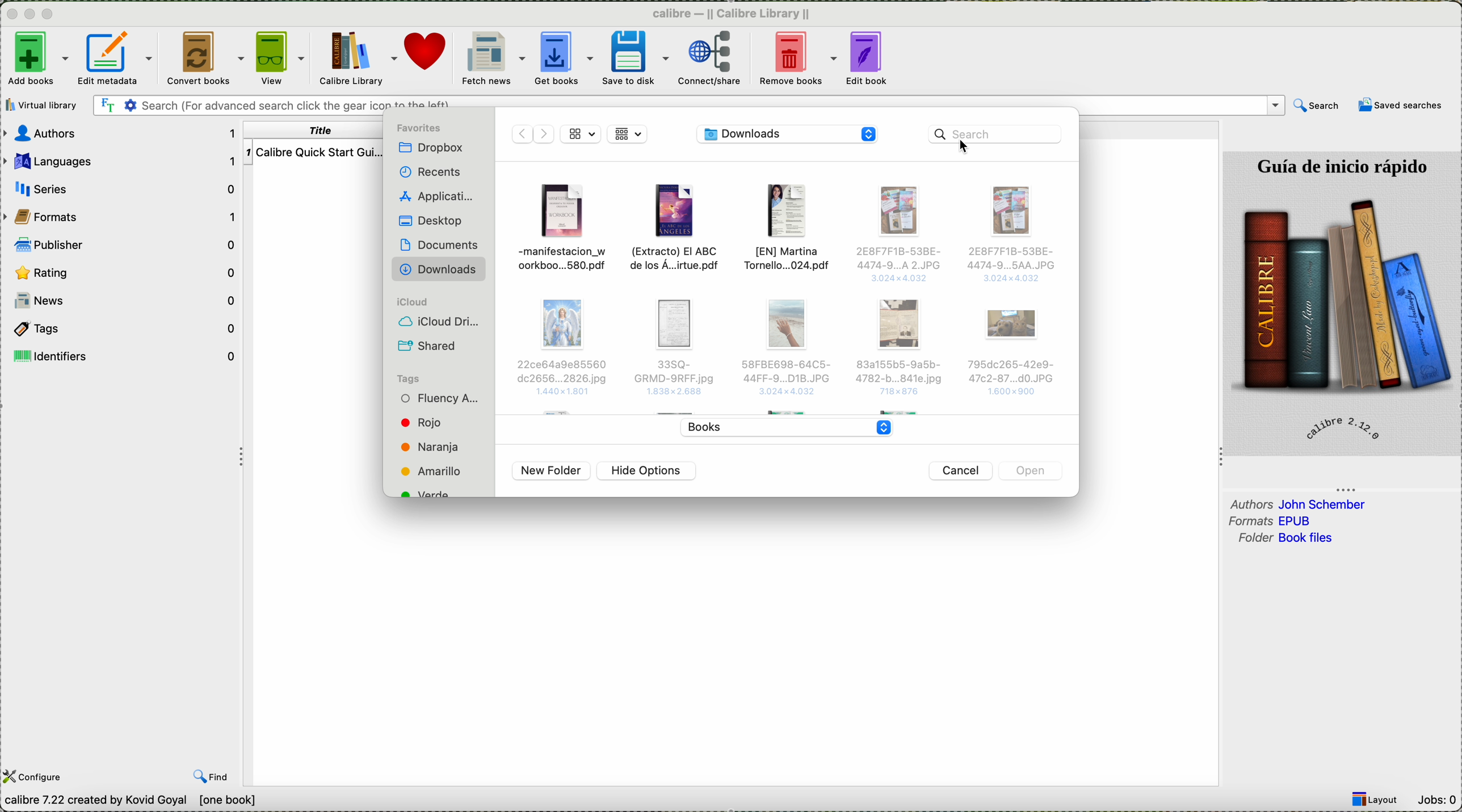  Describe the element at coordinates (565, 225) in the screenshot. I see `file` at that location.